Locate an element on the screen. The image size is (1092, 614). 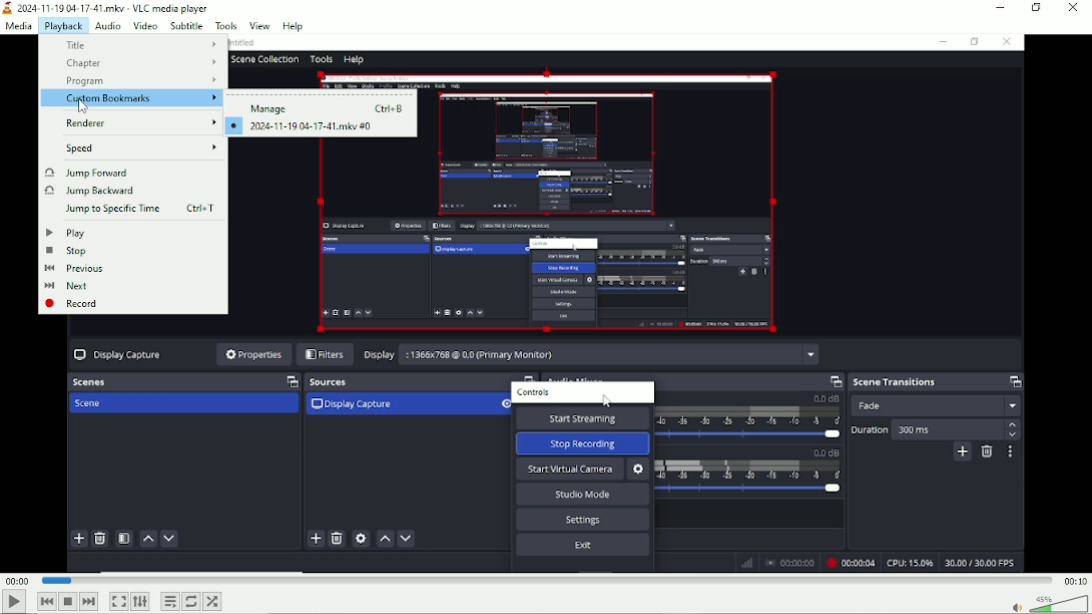
Volume is located at coordinates (1048, 604).